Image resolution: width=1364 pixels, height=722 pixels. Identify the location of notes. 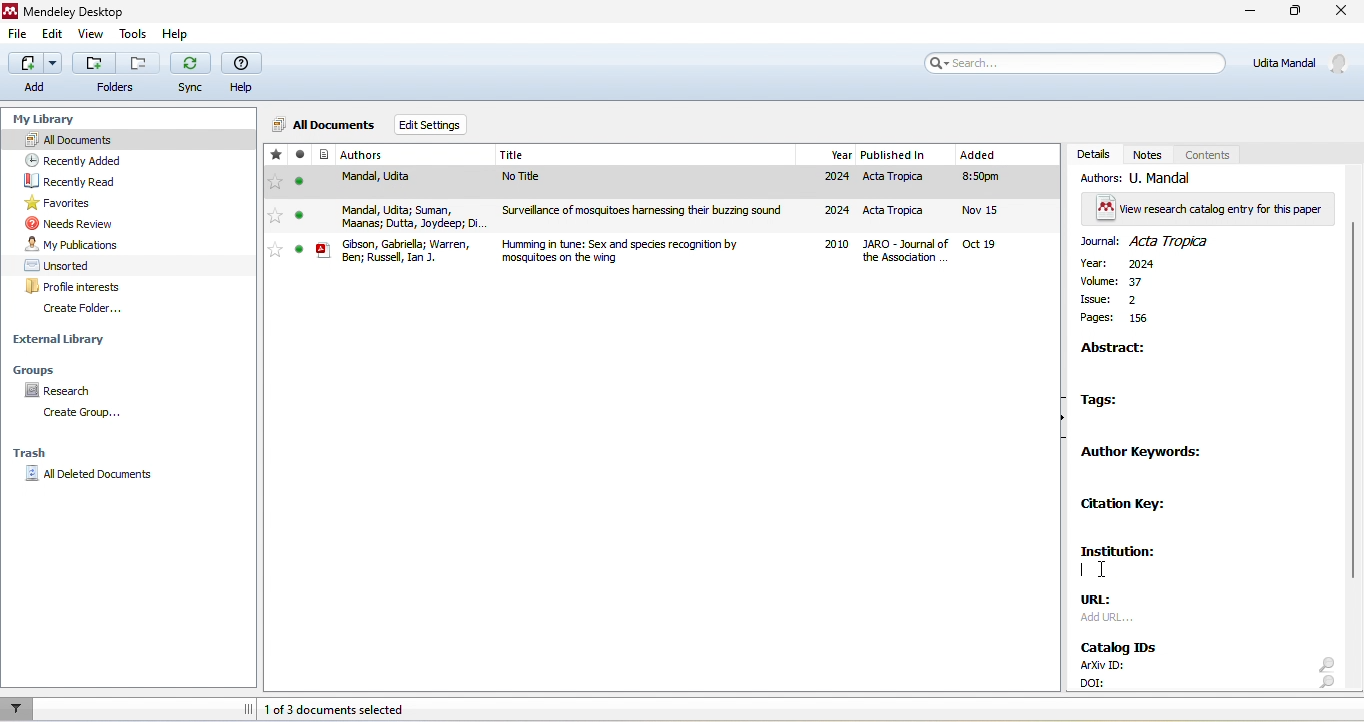
(1150, 154).